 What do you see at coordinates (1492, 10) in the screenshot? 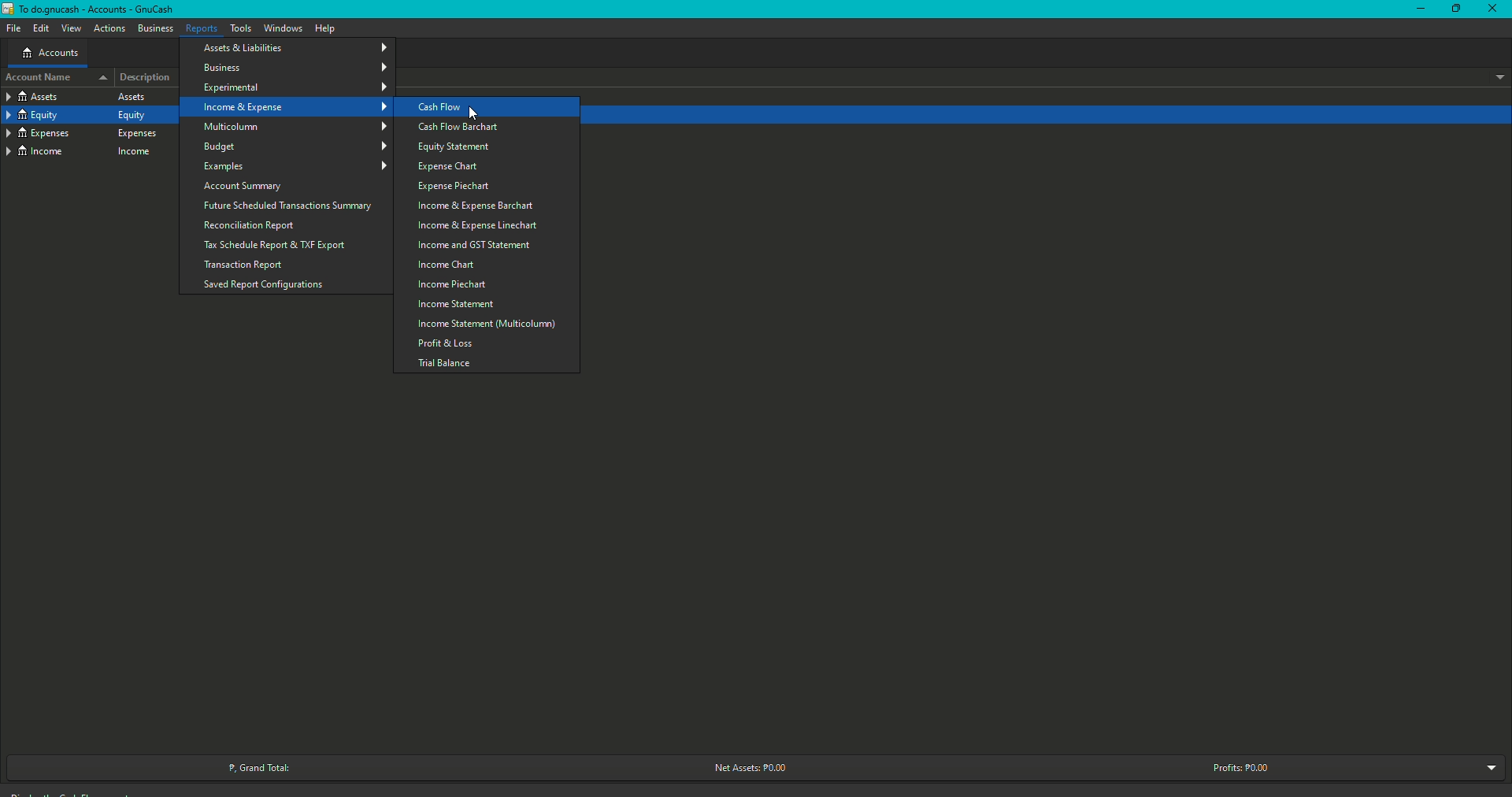
I see `Close` at bounding box center [1492, 10].